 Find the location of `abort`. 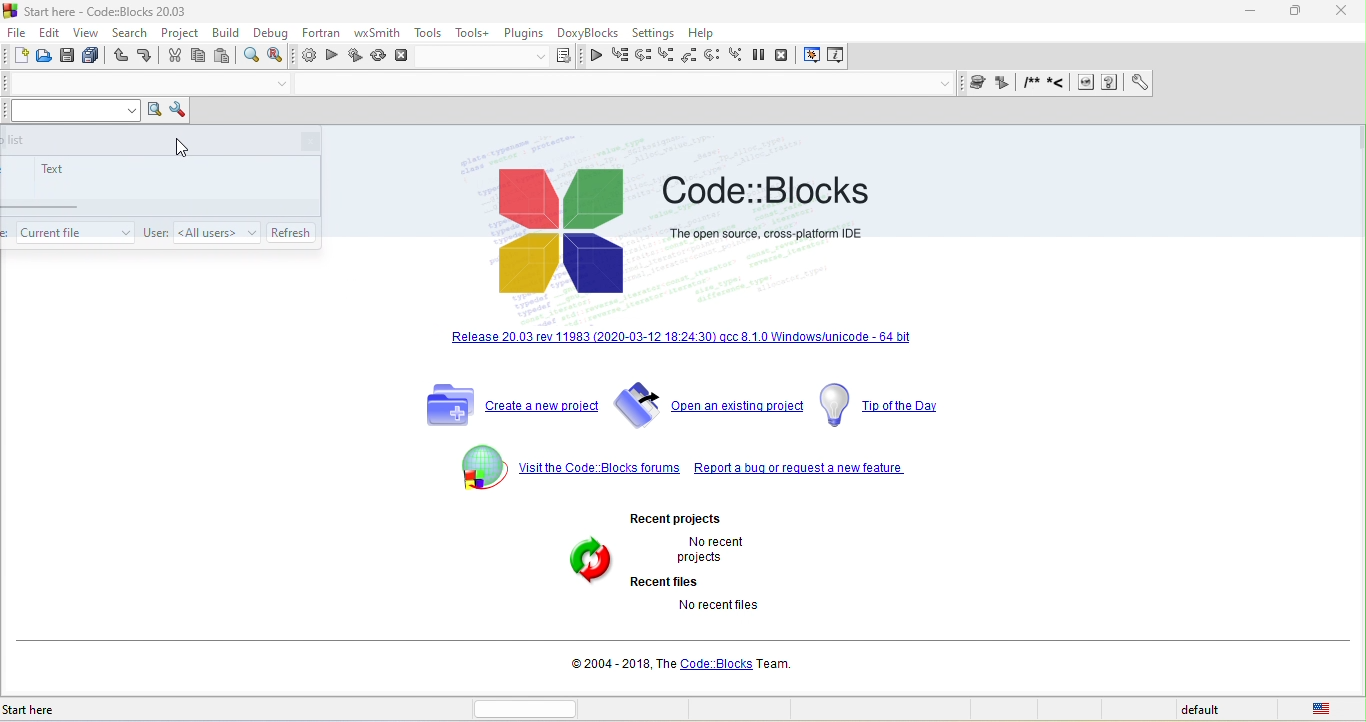

abort is located at coordinates (403, 55).